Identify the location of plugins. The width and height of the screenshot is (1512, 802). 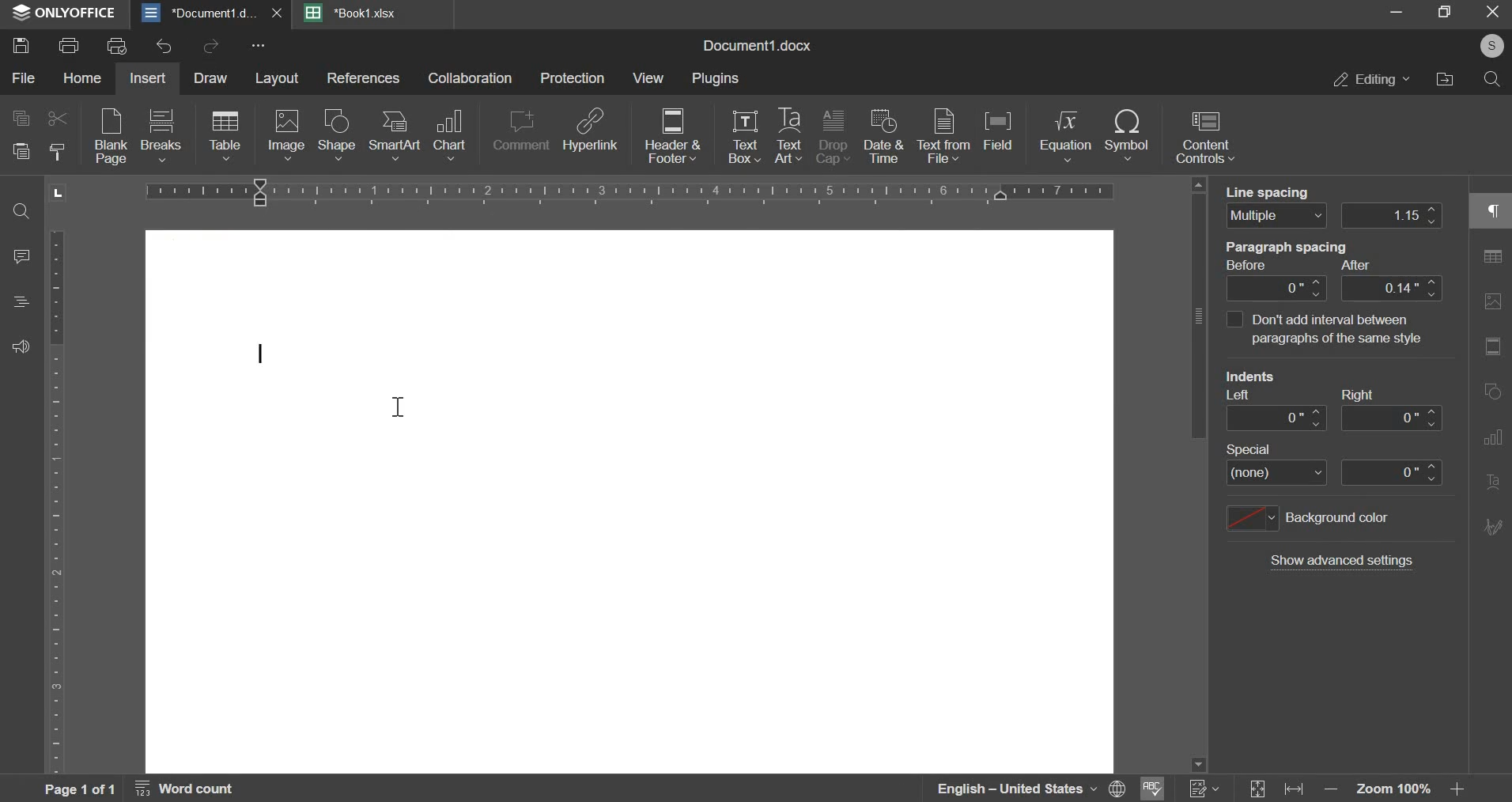
(715, 80).